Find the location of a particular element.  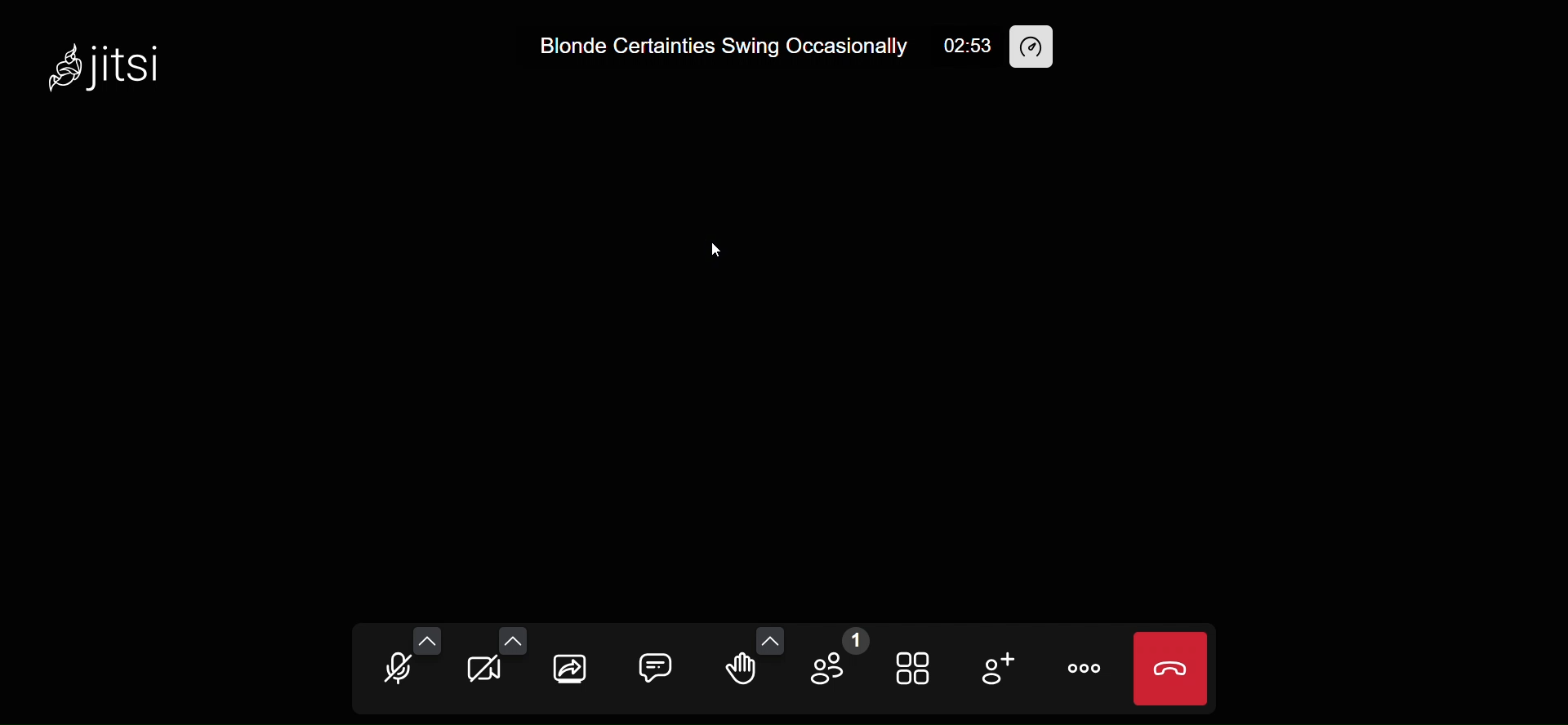

cursor is located at coordinates (716, 254).